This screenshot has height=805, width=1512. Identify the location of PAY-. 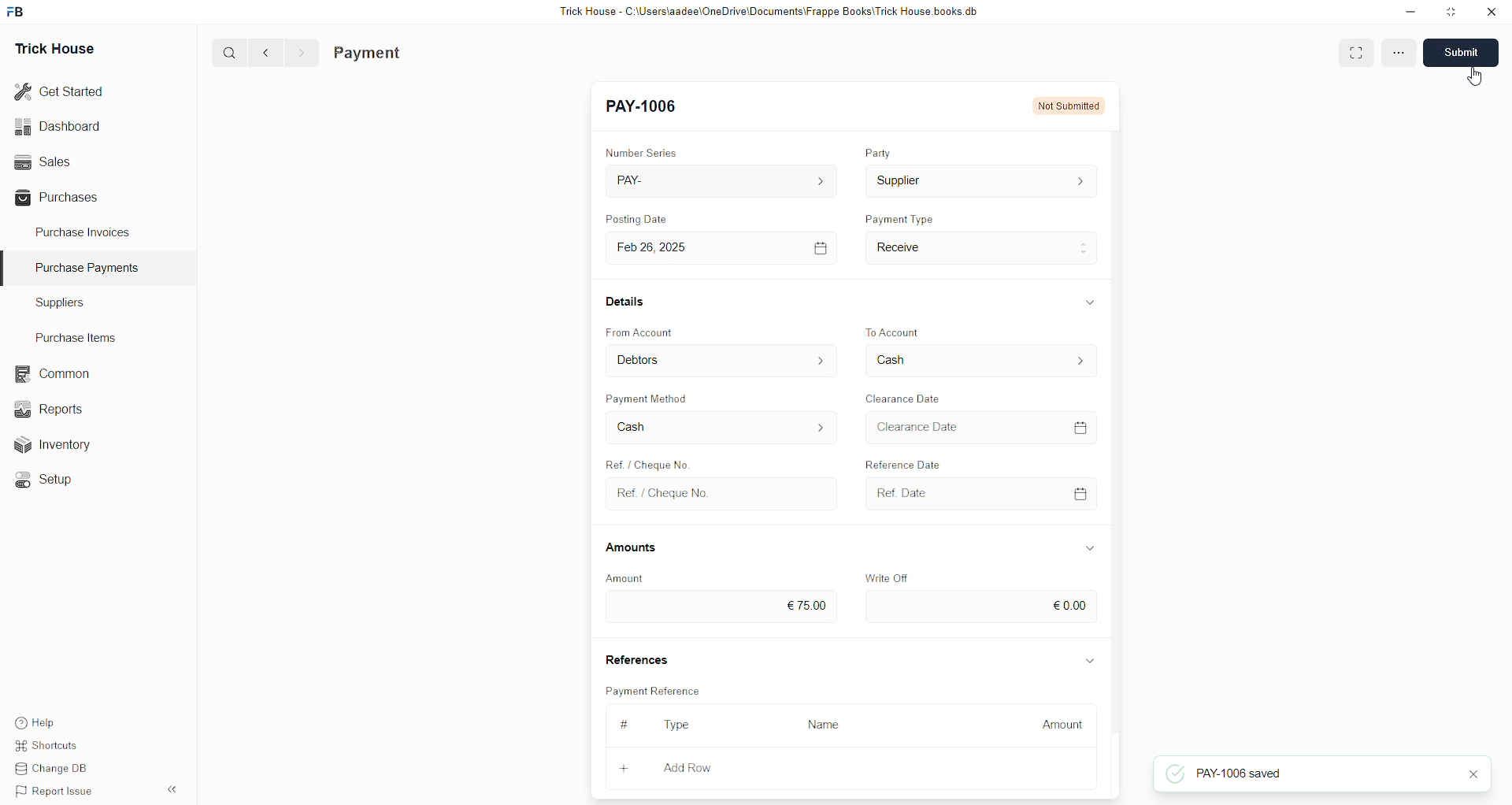
(720, 179).